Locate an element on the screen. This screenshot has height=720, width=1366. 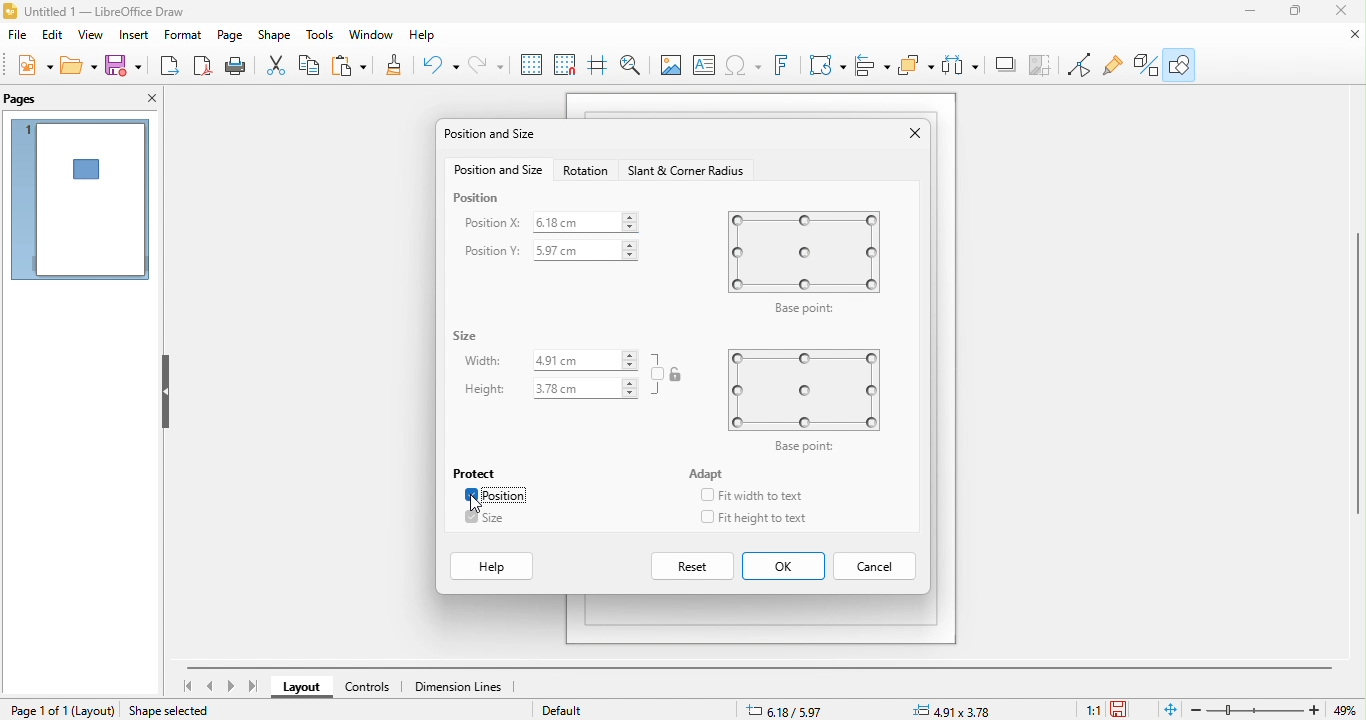
1:1 is located at coordinates (1089, 710).